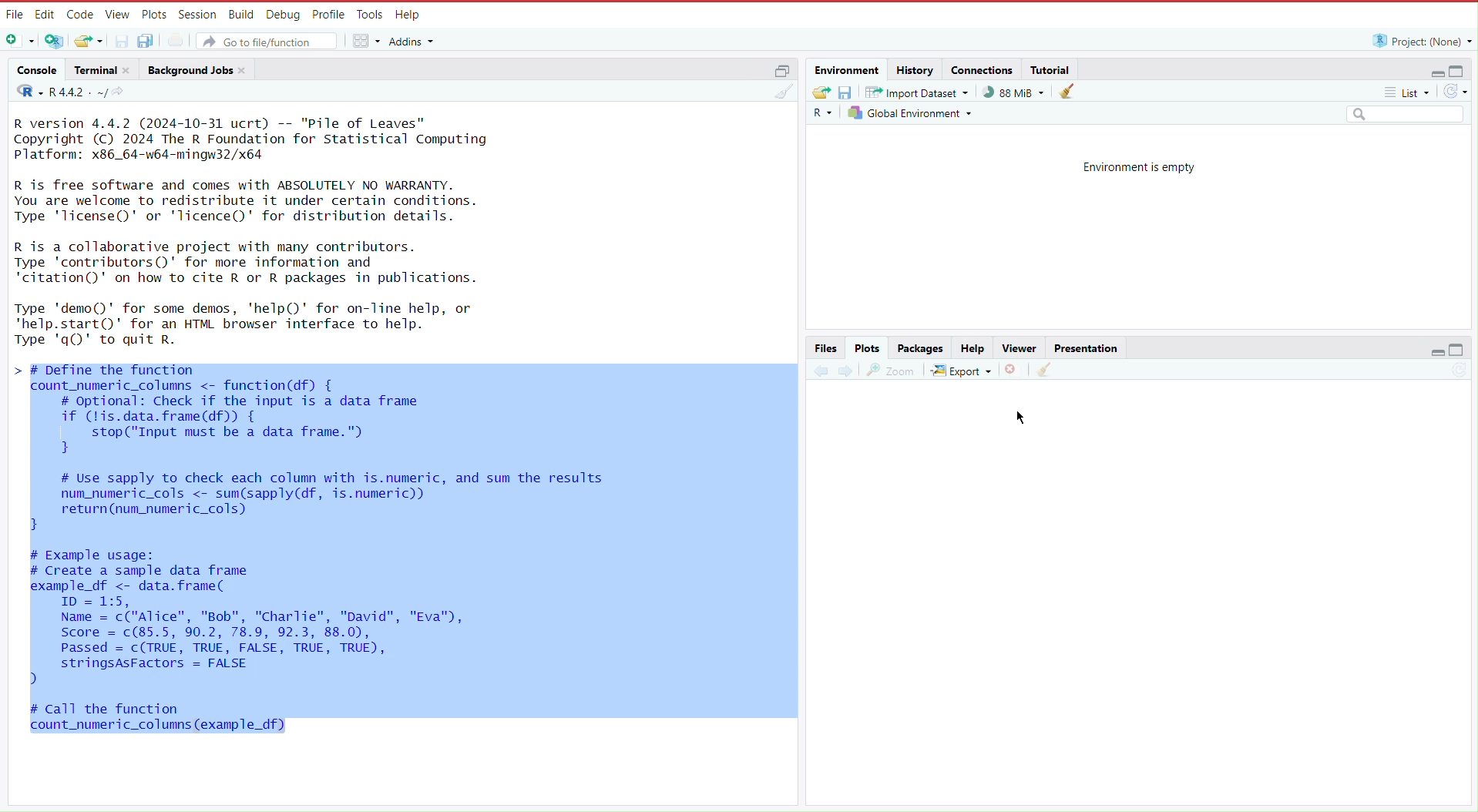 Image resolution: width=1478 pixels, height=812 pixels. What do you see at coordinates (1053, 69) in the screenshot?
I see `Tutorial` at bounding box center [1053, 69].